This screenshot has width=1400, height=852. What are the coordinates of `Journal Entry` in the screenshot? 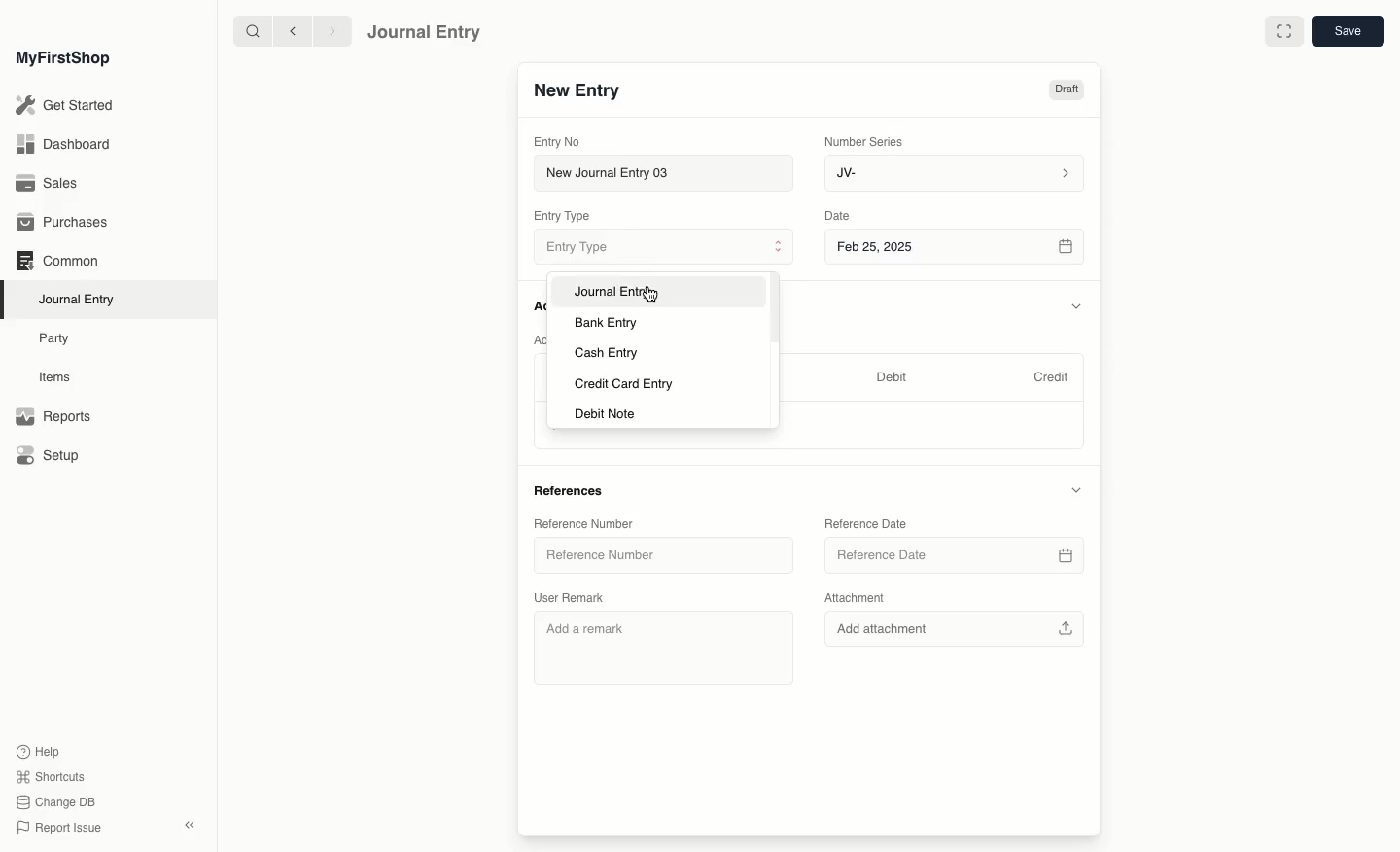 It's located at (619, 292).